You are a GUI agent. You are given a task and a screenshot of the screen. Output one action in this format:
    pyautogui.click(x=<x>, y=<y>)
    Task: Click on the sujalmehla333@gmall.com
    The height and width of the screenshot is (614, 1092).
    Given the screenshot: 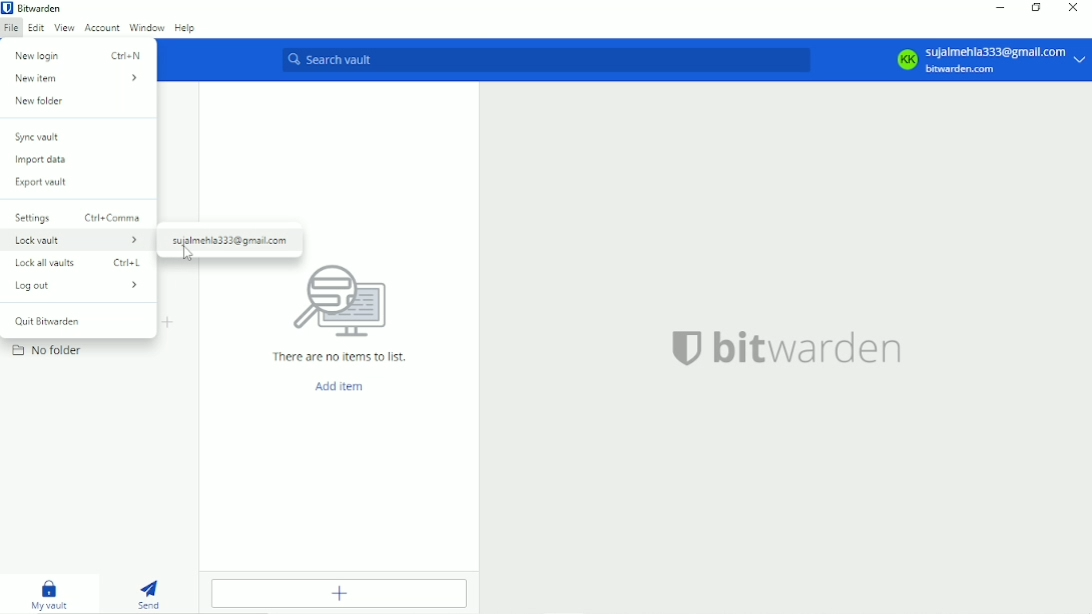 What is the action you would take?
    pyautogui.click(x=232, y=242)
    